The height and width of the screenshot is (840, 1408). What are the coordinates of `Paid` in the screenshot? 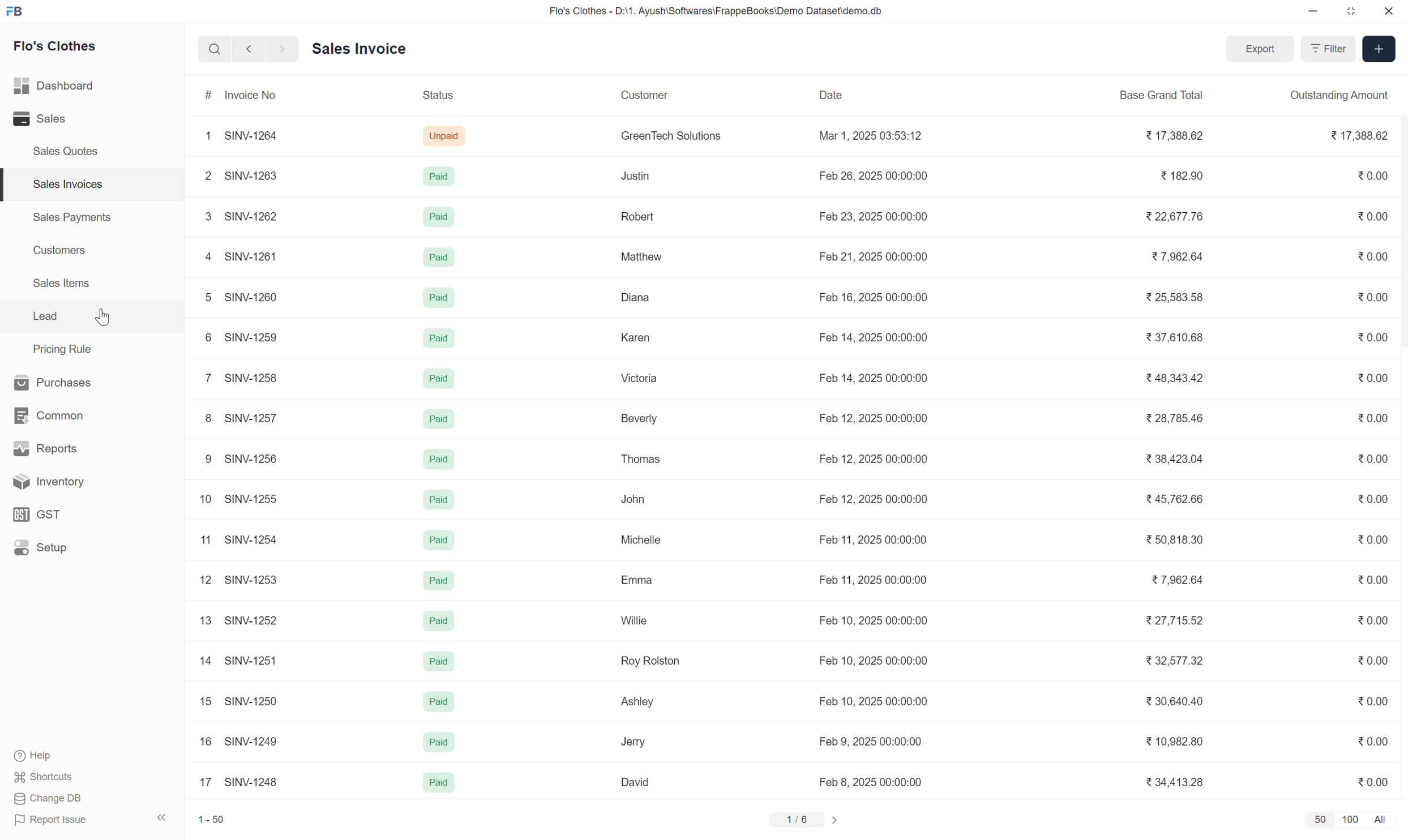 It's located at (440, 703).